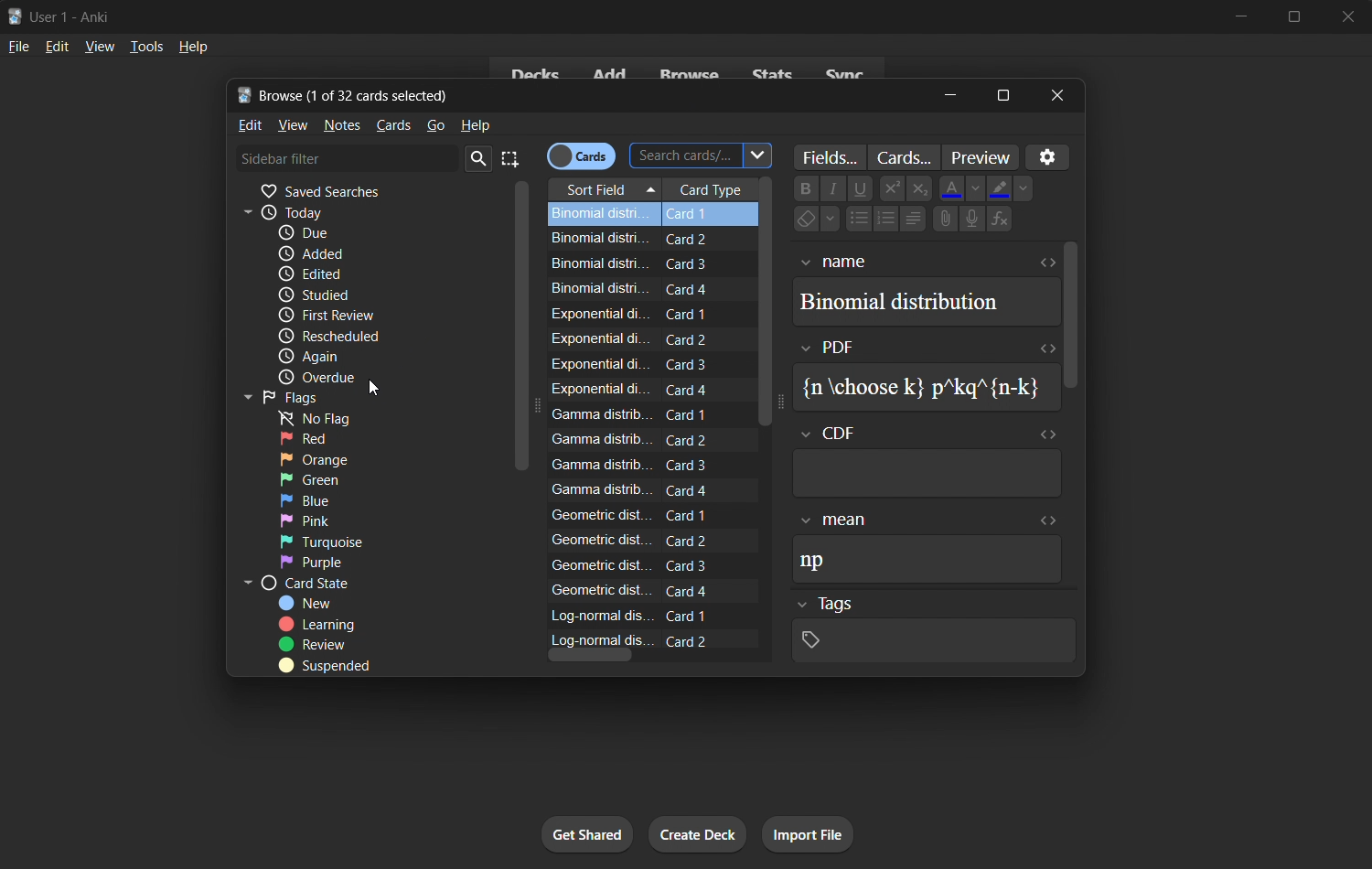 This screenshot has height=869, width=1372. What do you see at coordinates (700, 837) in the screenshot?
I see `create deck` at bounding box center [700, 837].